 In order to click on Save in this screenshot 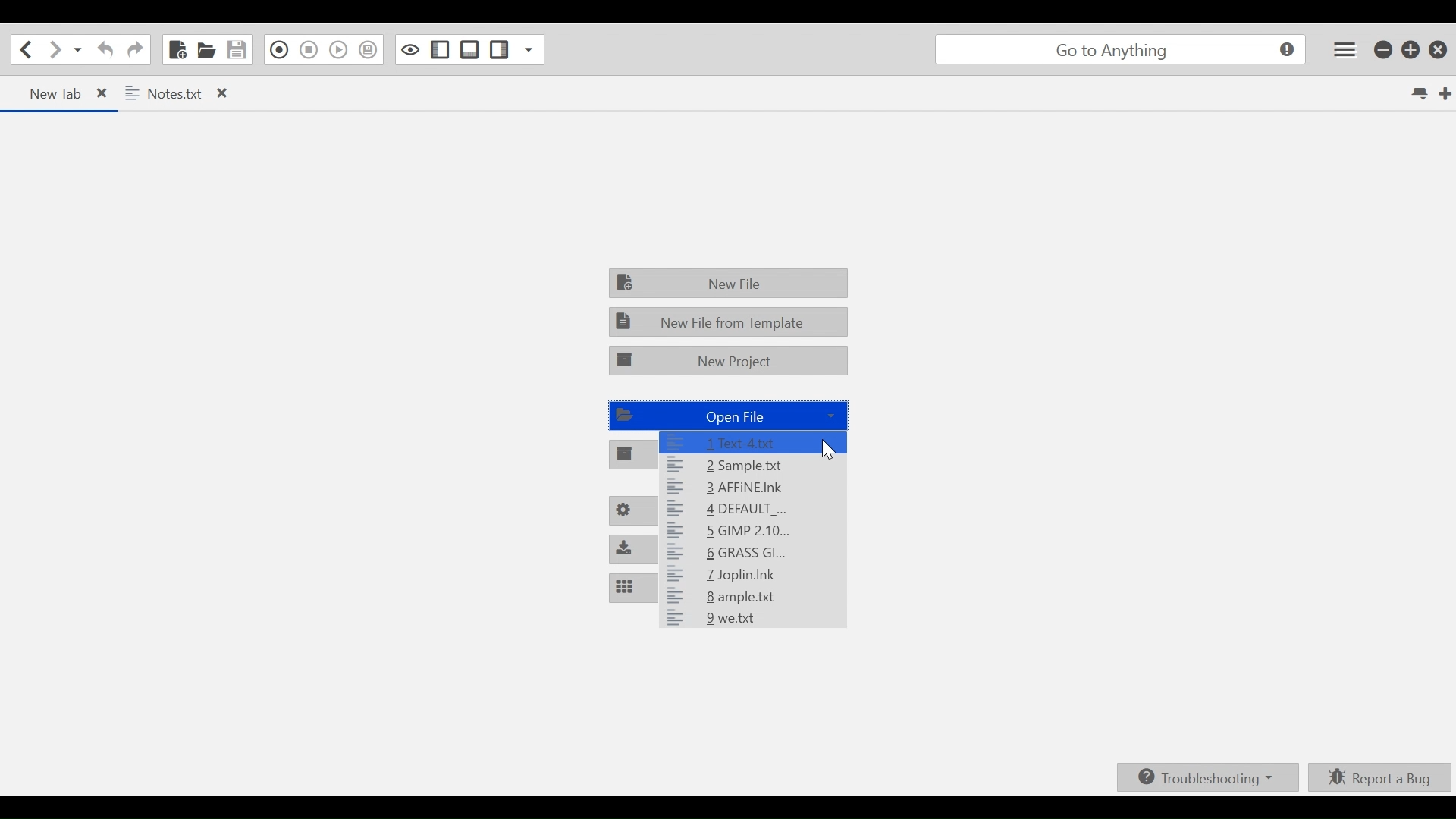, I will do `click(237, 49)`.